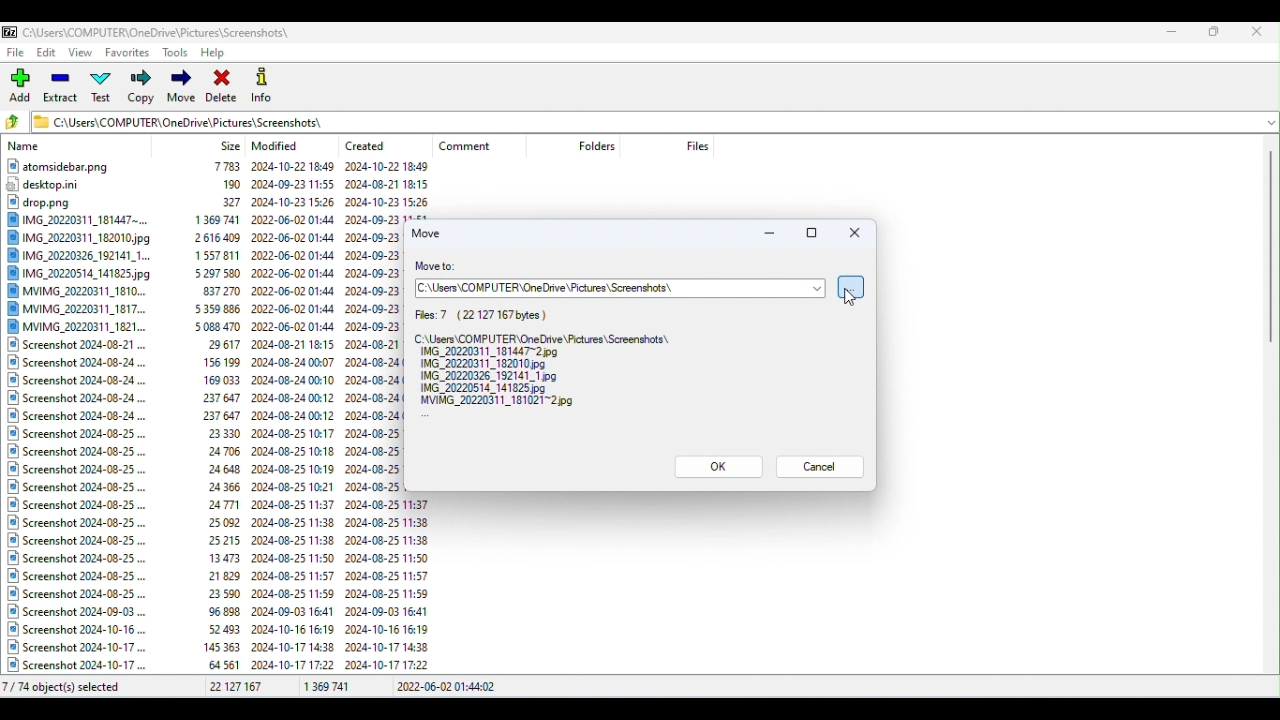  I want to click on Status bar, so click(638, 689).